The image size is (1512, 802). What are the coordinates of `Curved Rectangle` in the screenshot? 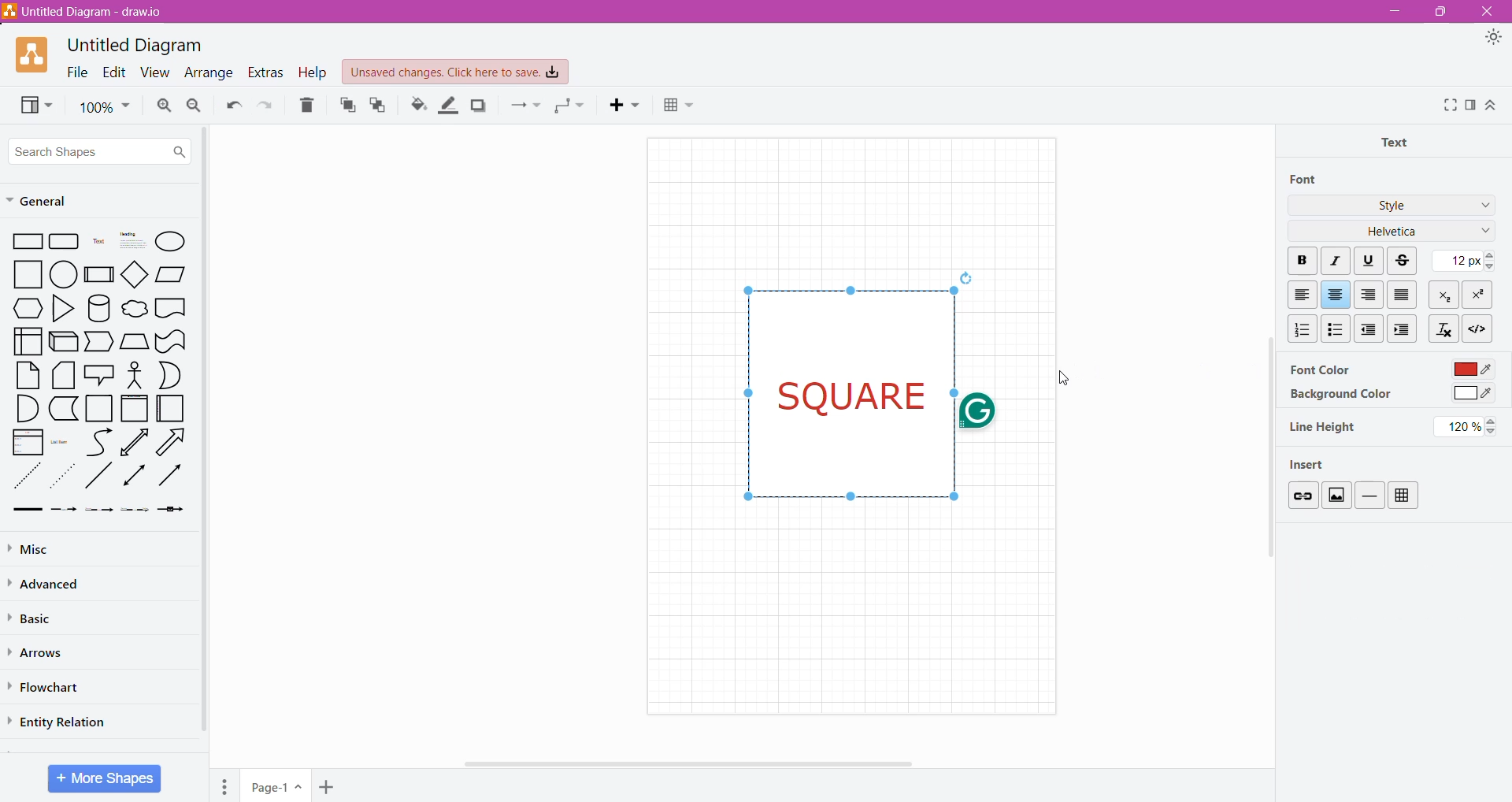 It's located at (170, 340).